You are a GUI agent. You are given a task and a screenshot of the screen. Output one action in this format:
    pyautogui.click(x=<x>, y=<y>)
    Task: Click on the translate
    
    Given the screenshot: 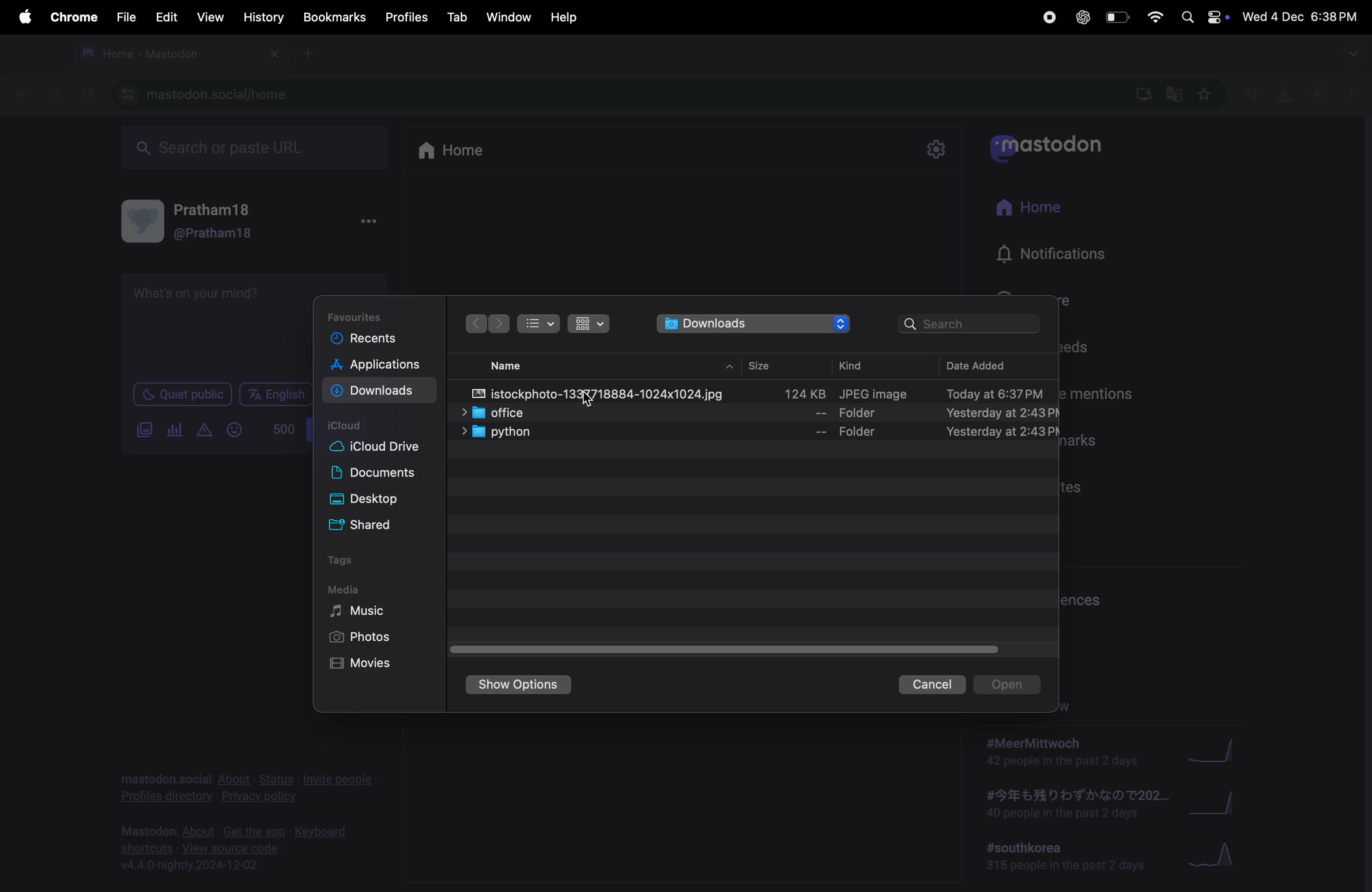 What is the action you would take?
    pyautogui.click(x=1175, y=97)
    